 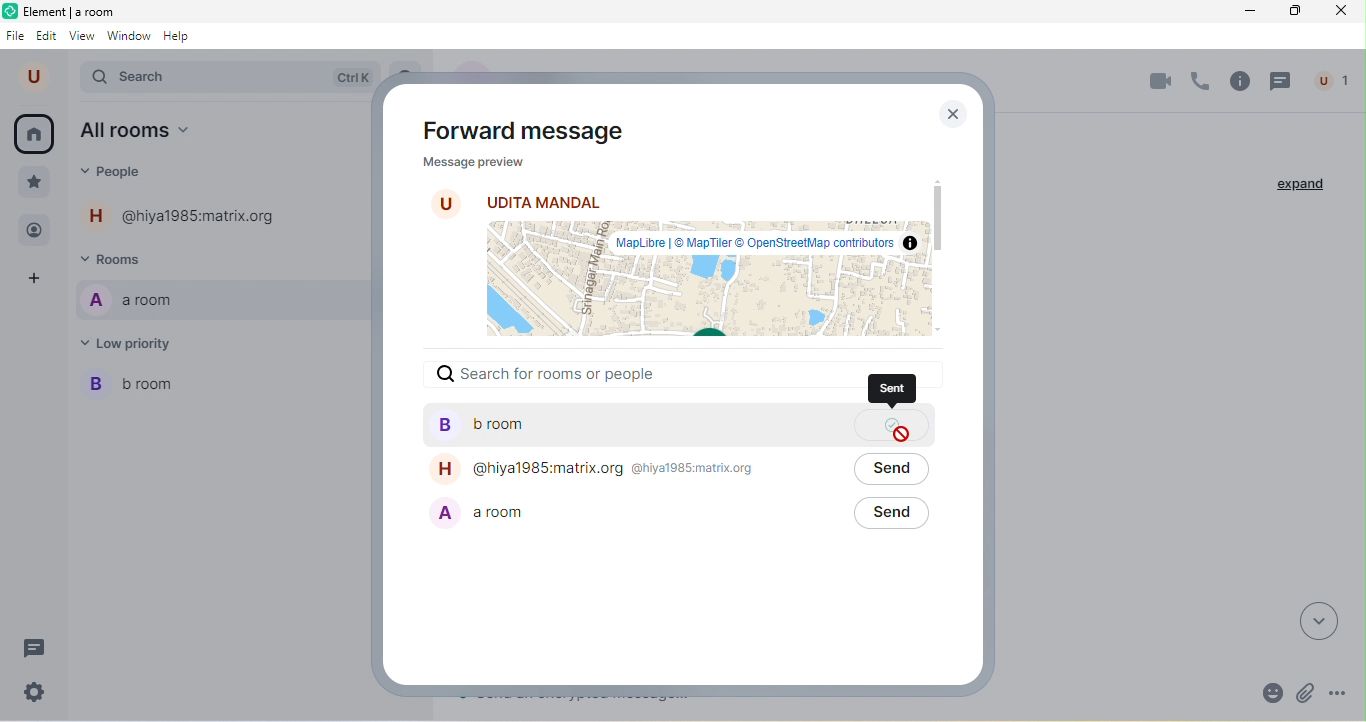 What do you see at coordinates (17, 37) in the screenshot?
I see `file` at bounding box center [17, 37].